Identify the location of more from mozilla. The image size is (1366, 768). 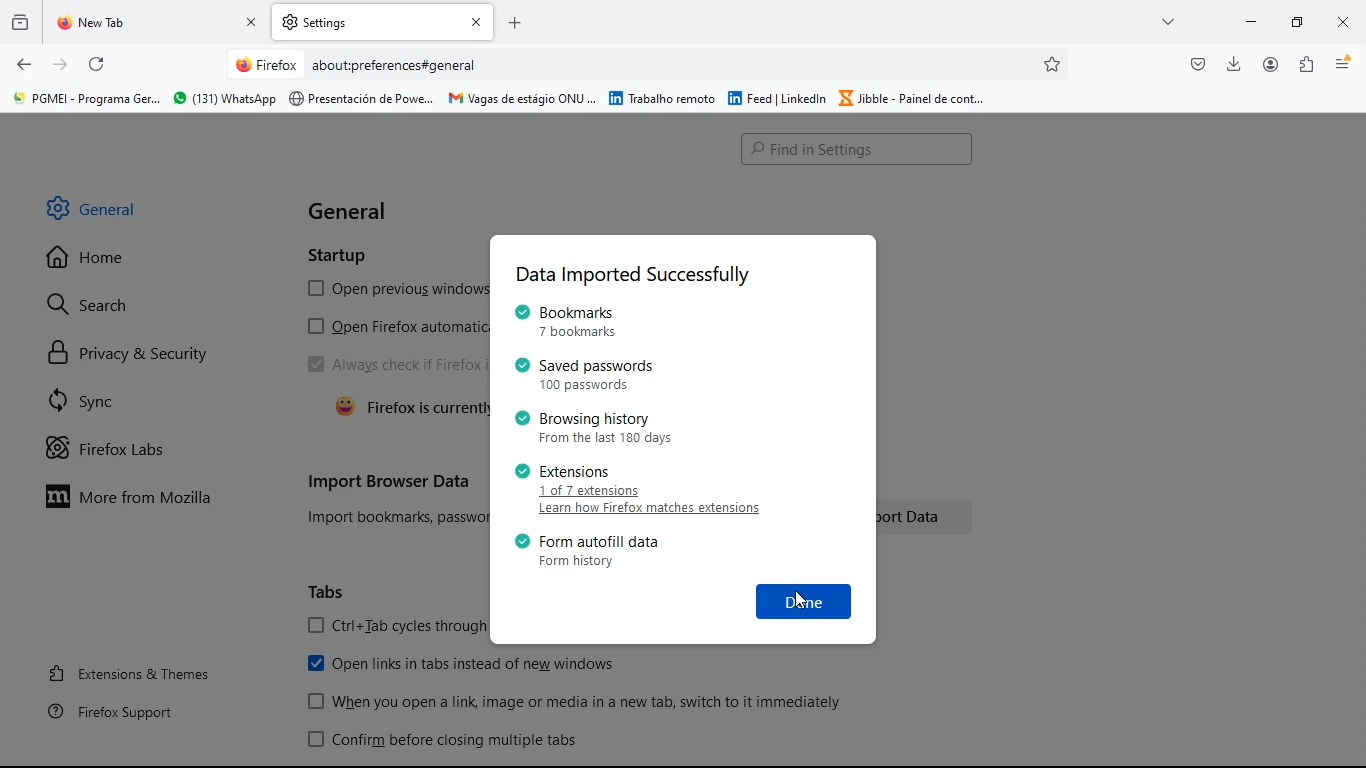
(143, 495).